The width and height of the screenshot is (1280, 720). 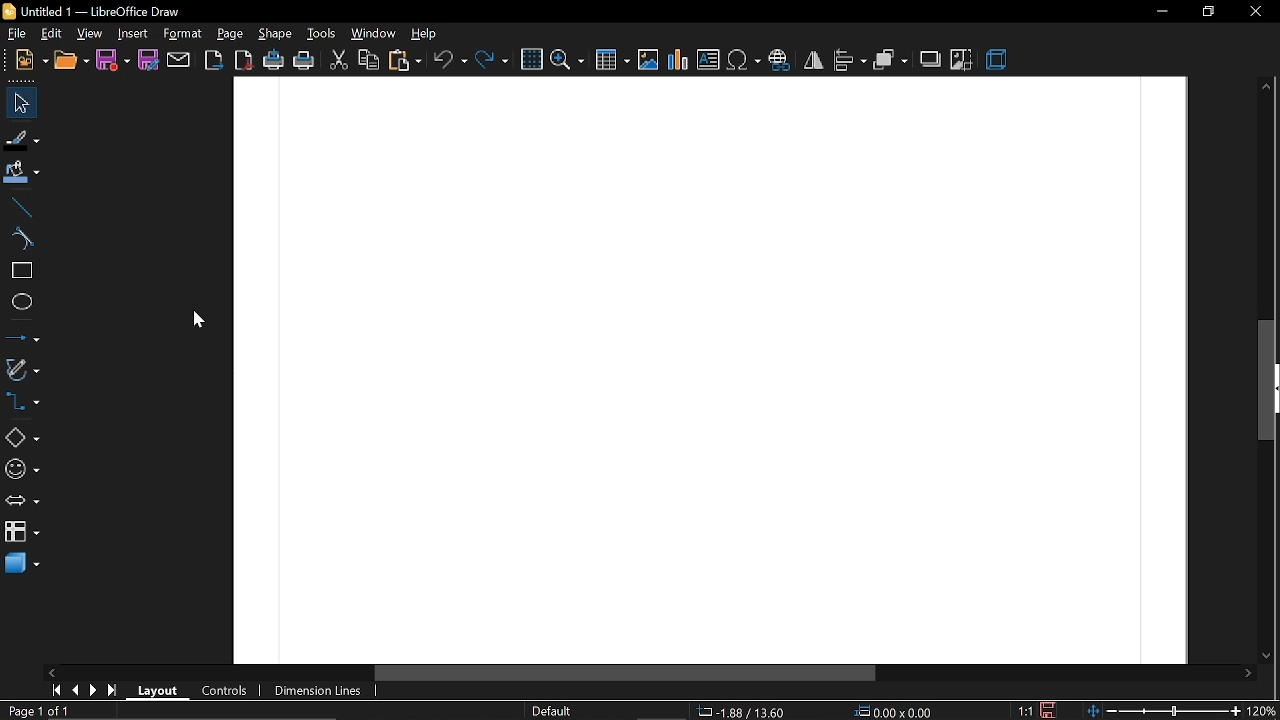 What do you see at coordinates (16, 34) in the screenshot?
I see `file` at bounding box center [16, 34].